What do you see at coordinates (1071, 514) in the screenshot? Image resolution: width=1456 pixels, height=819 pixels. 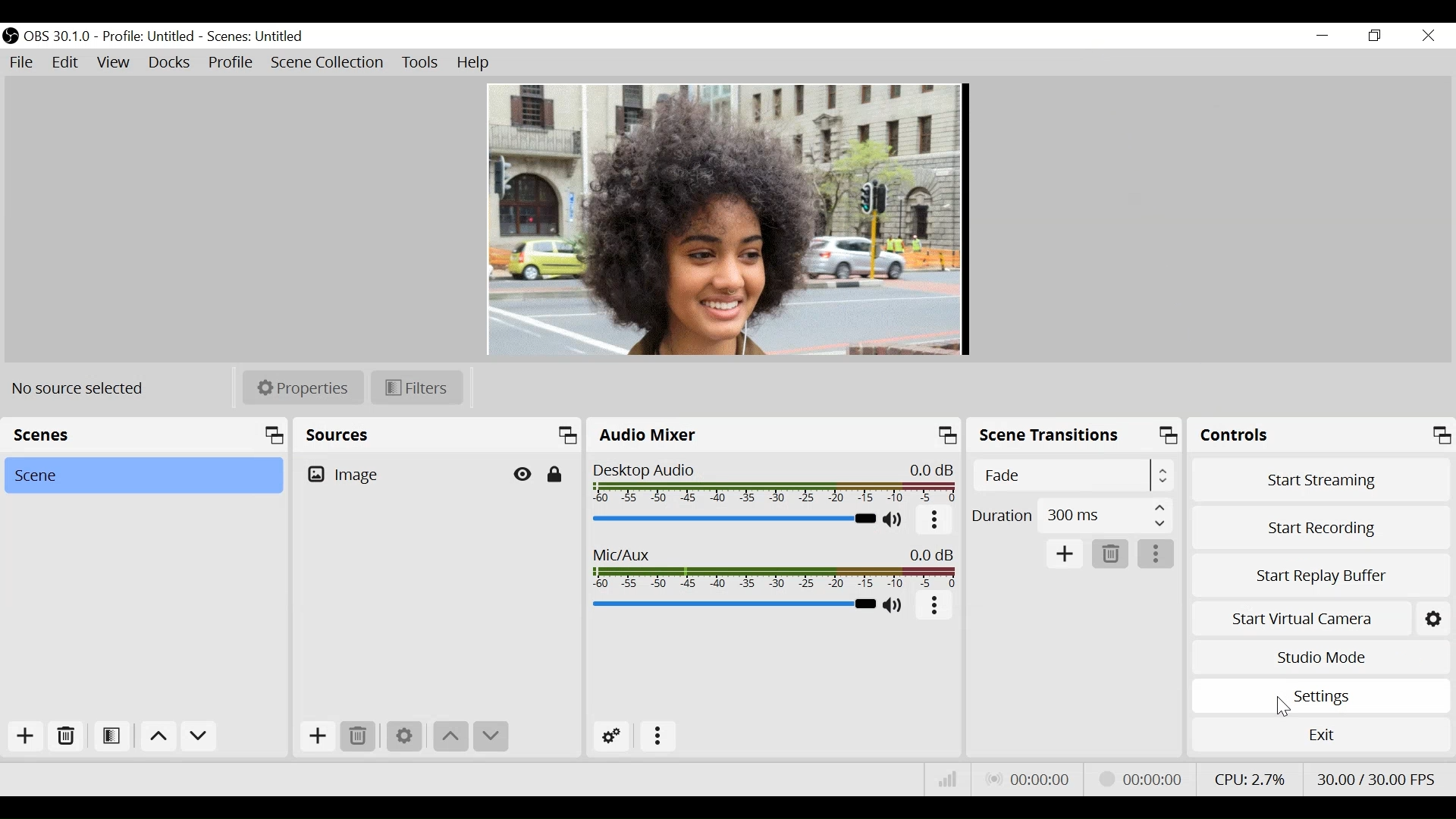 I see `Duration 300 ms` at bounding box center [1071, 514].